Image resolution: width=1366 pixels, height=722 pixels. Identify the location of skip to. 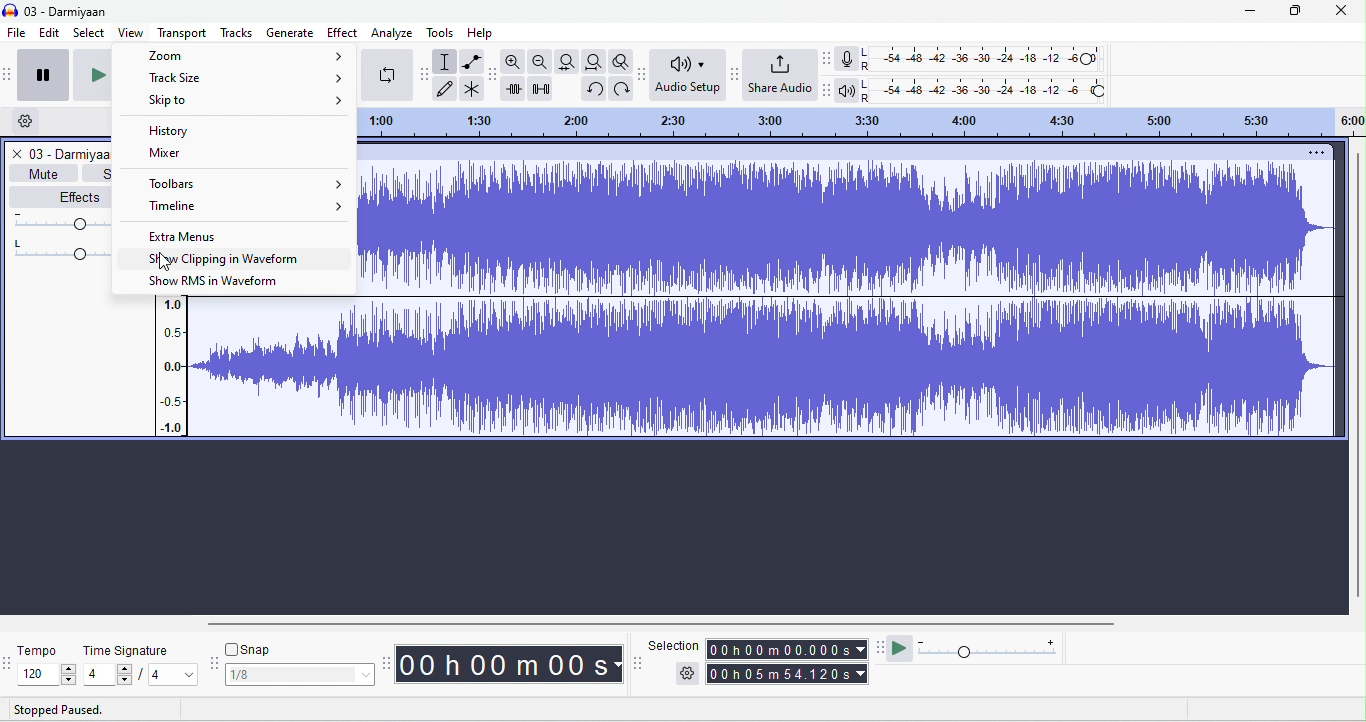
(248, 101).